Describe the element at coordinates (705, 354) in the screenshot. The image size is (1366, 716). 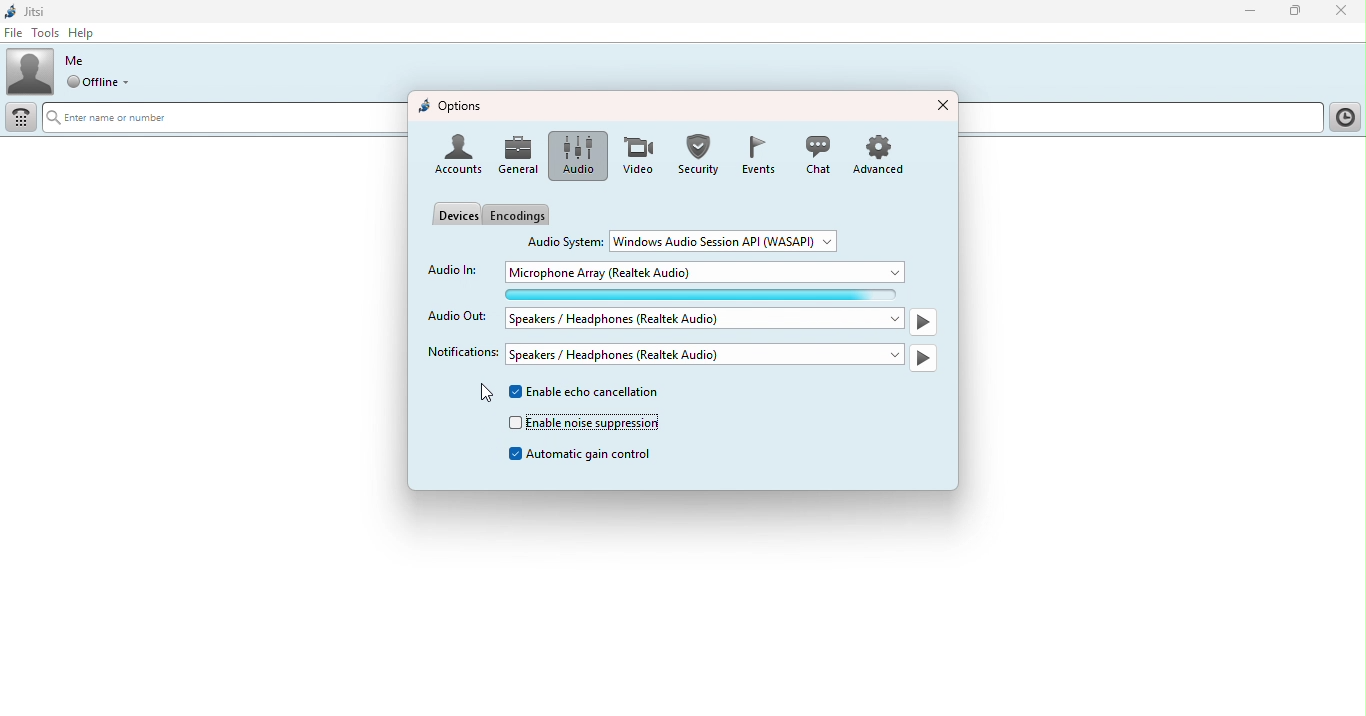
I see `Speakers/Headphones (Realtek Audio)` at that location.